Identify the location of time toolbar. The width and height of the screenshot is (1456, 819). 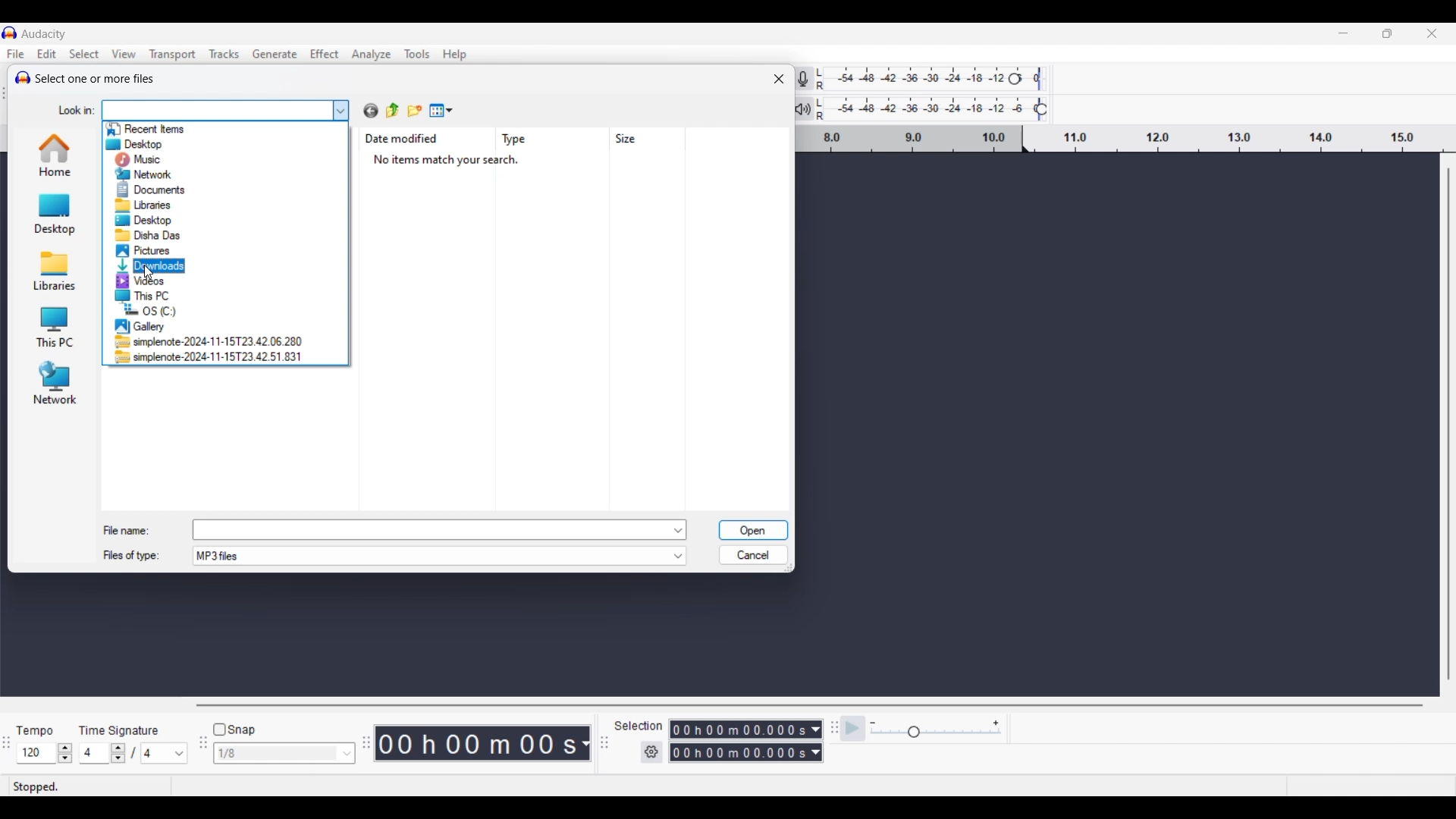
(368, 748).